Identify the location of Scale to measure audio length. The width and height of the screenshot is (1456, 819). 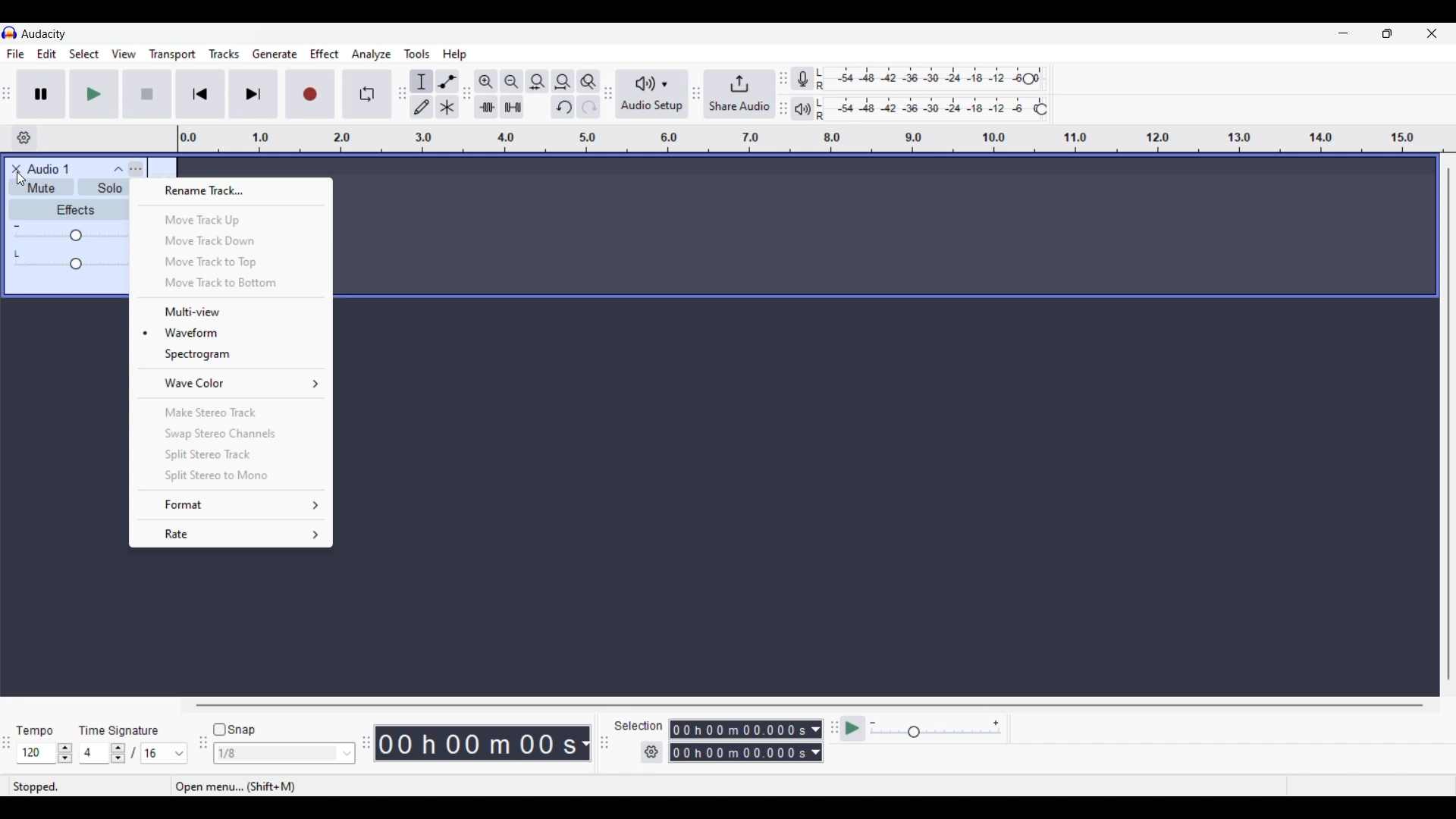
(817, 139).